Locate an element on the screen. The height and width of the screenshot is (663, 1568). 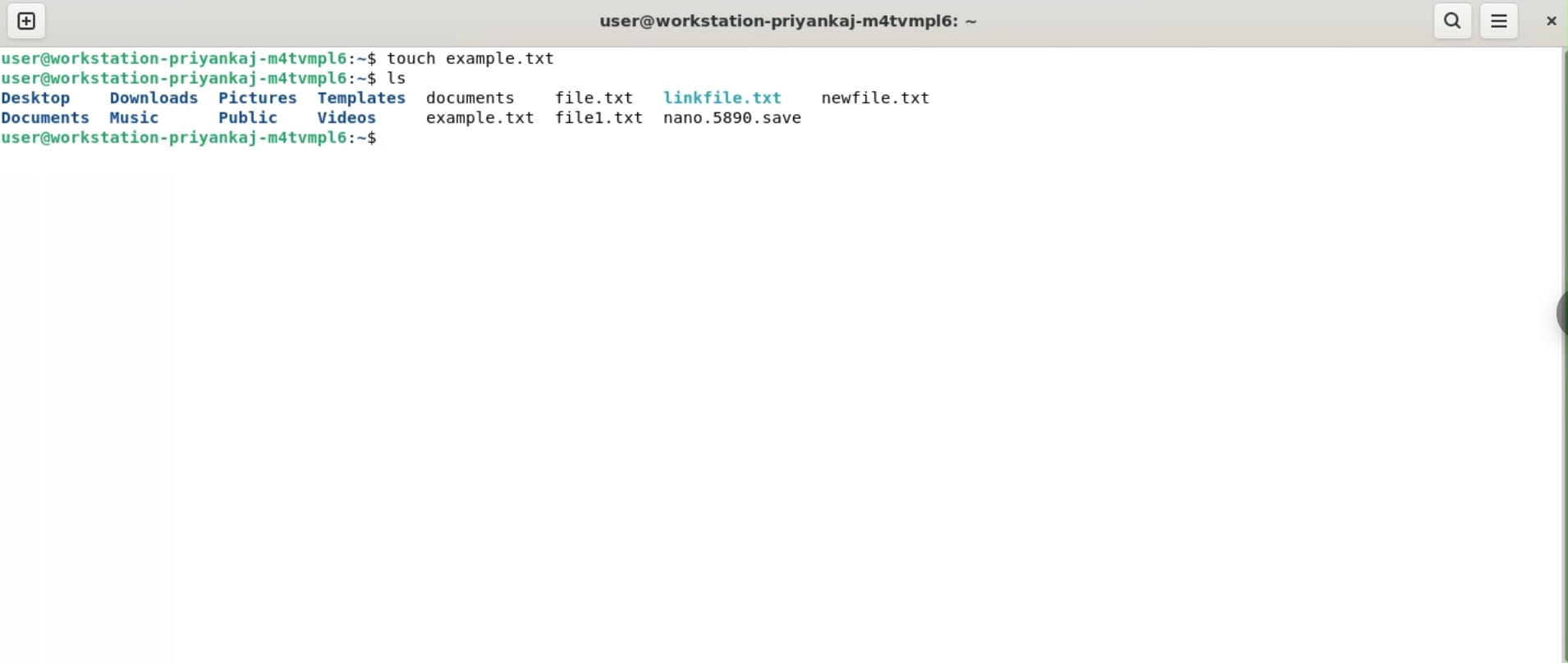
touch example.txt is located at coordinates (478, 57).